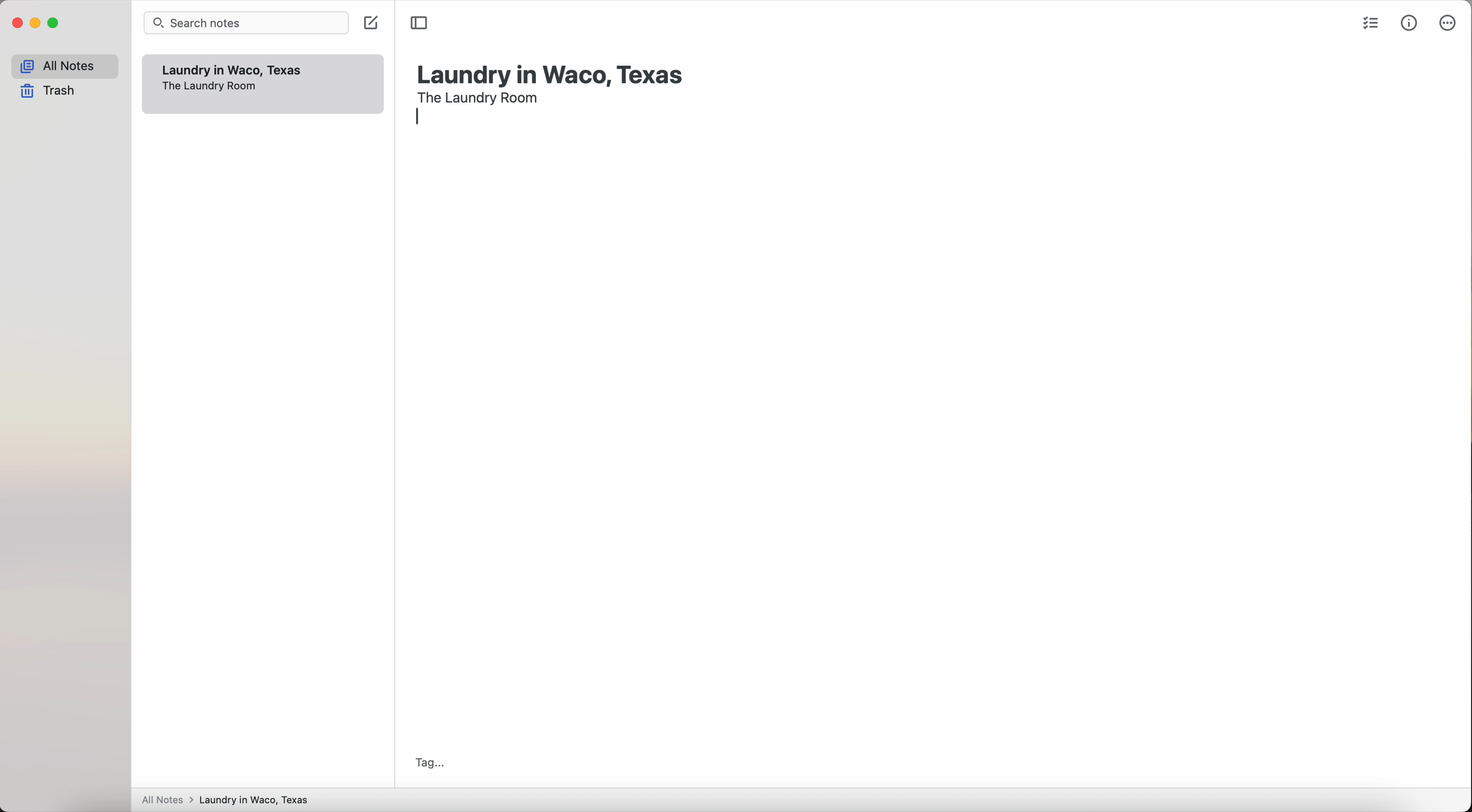  I want to click on All notes > Laundry in Waco, Texas, so click(230, 801).